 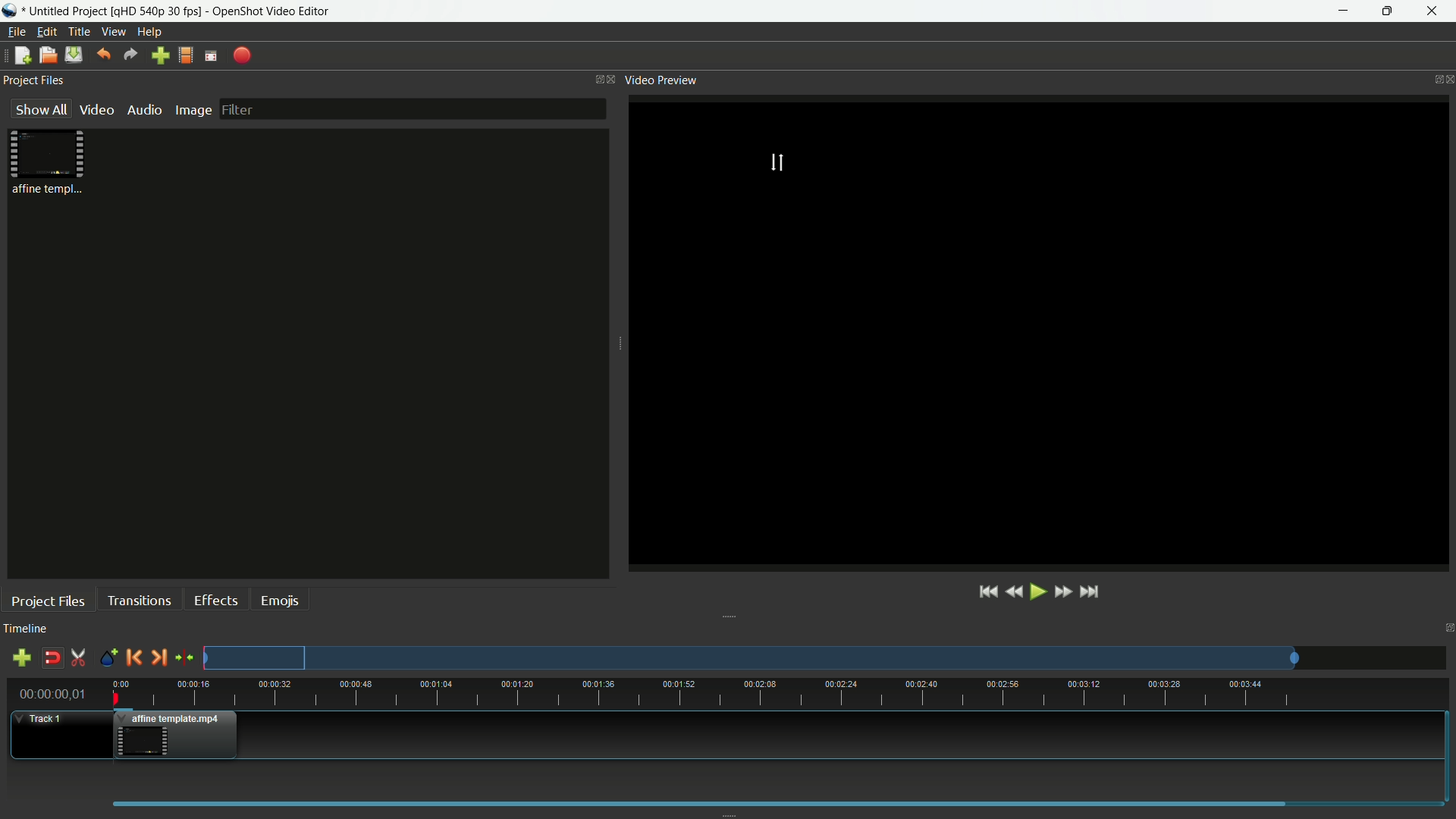 What do you see at coordinates (65, 11) in the screenshot?
I see `project name` at bounding box center [65, 11].